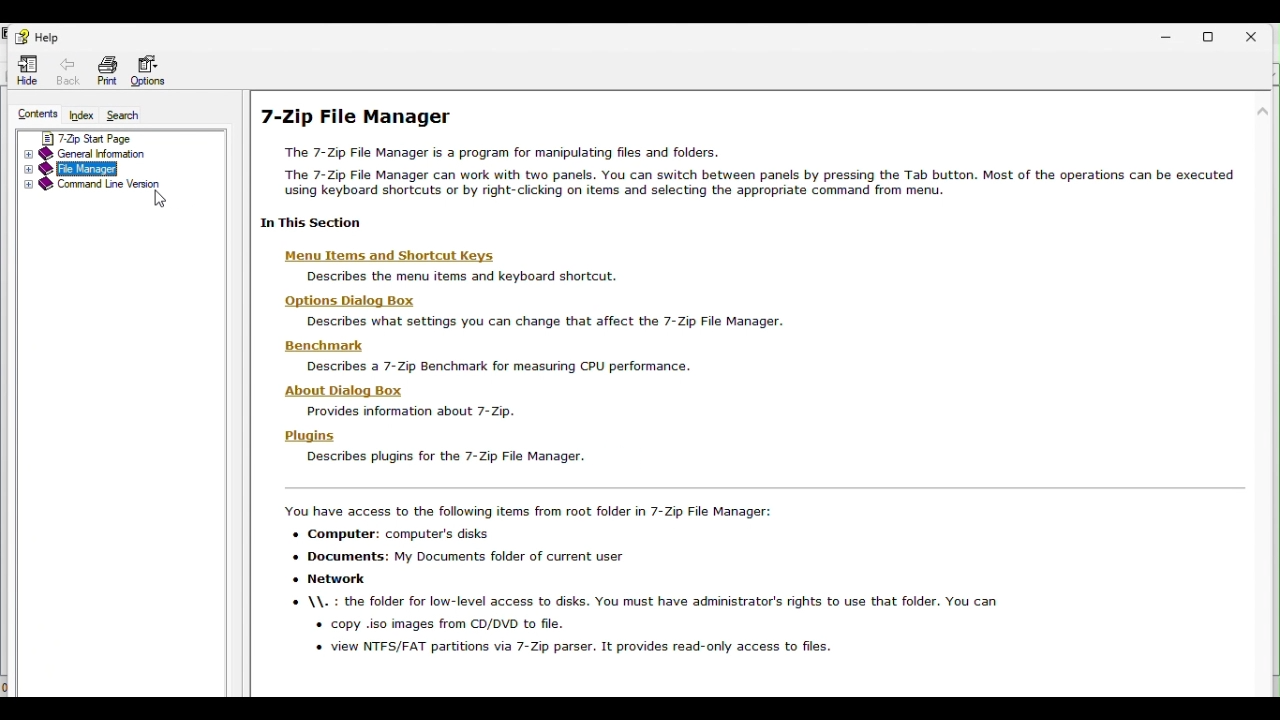 The image size is (1280, 720). I want to click on Minimize, so click(1173, 34).